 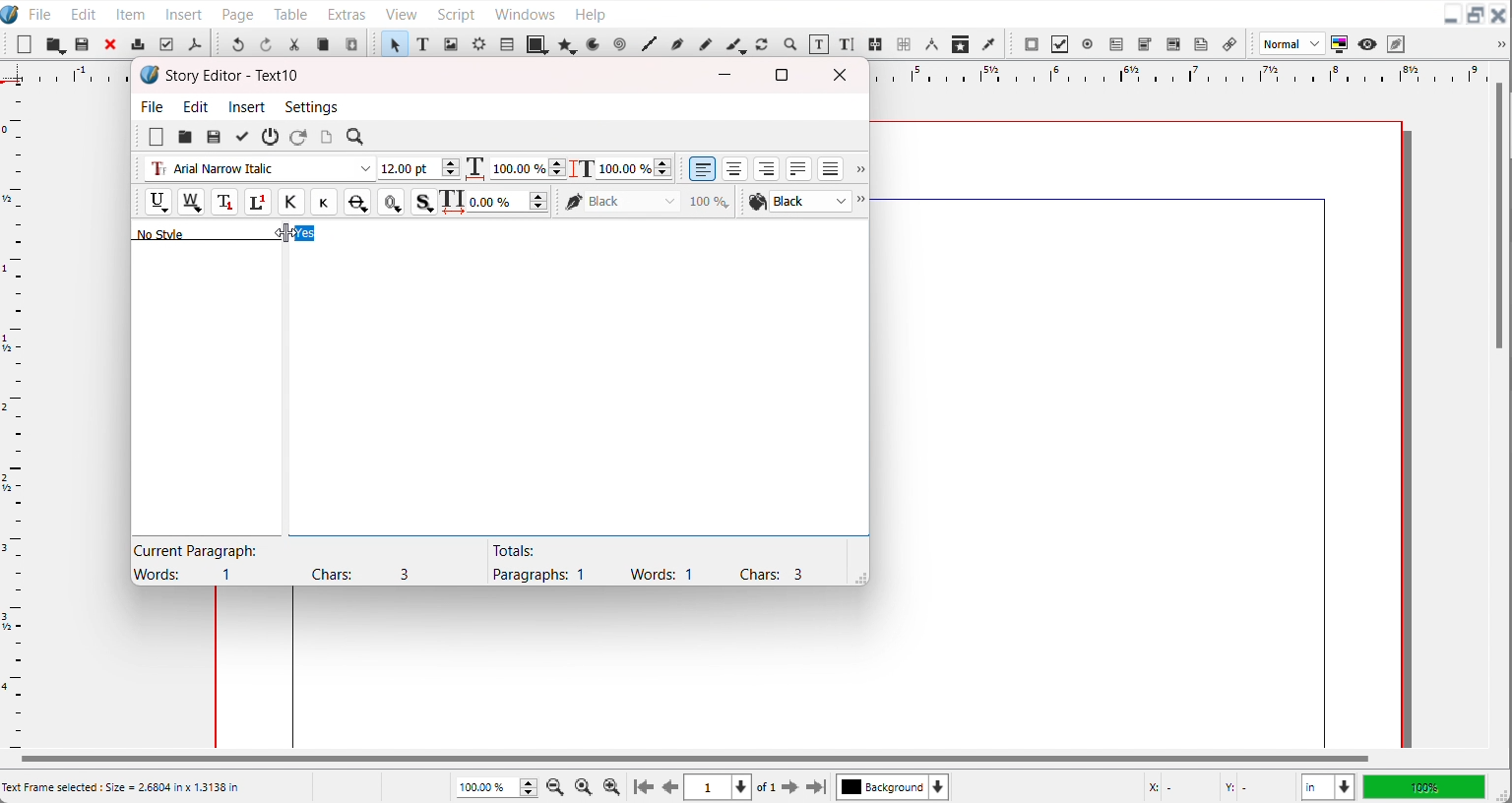 I want to click on Text Width adjuster, so click(x=509, y=202).